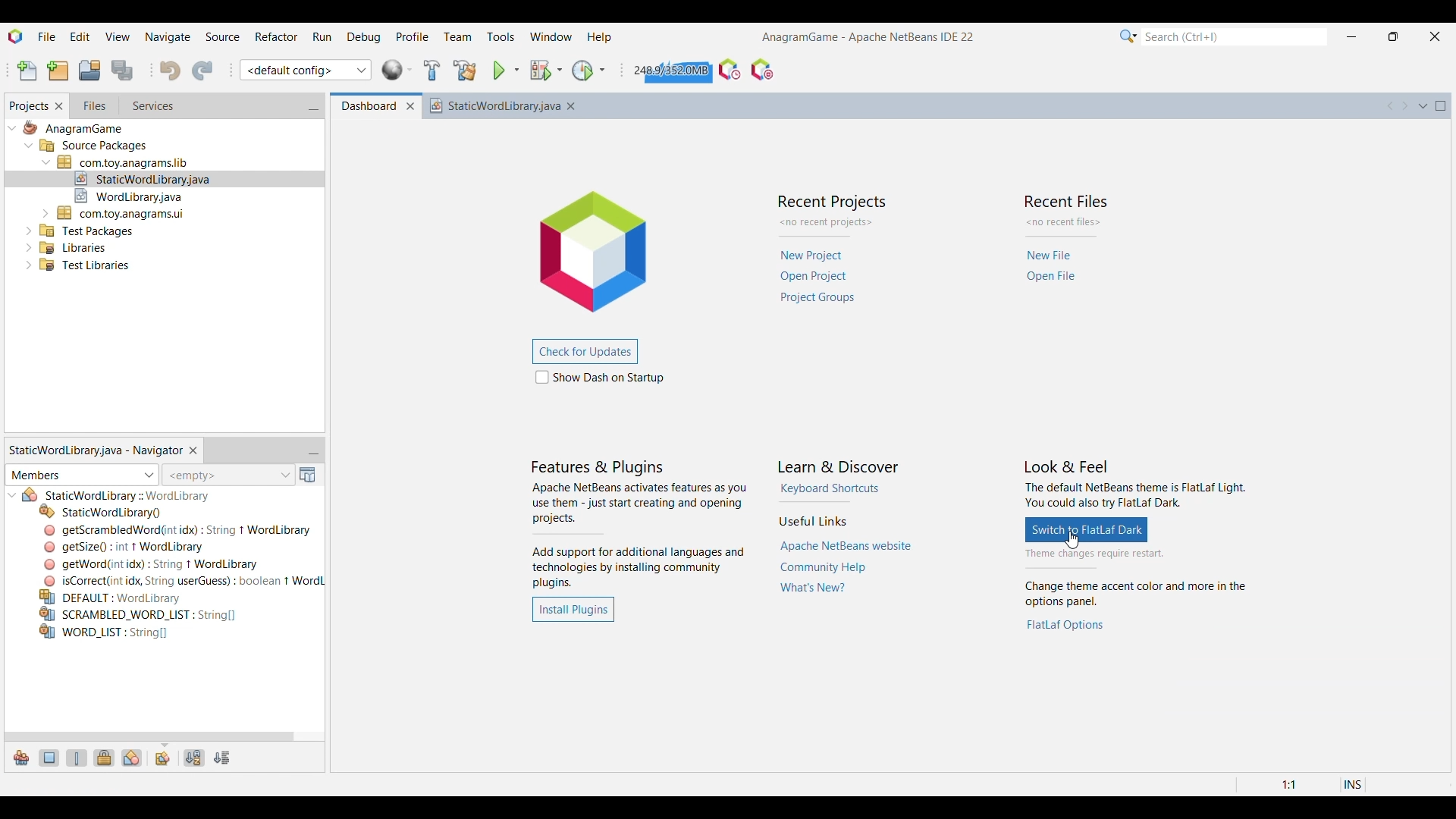 The image size is (1456, 819). What do you see at coordinates (102, 511) in the screenshot?
I see `` at bounding box center [102, 511].